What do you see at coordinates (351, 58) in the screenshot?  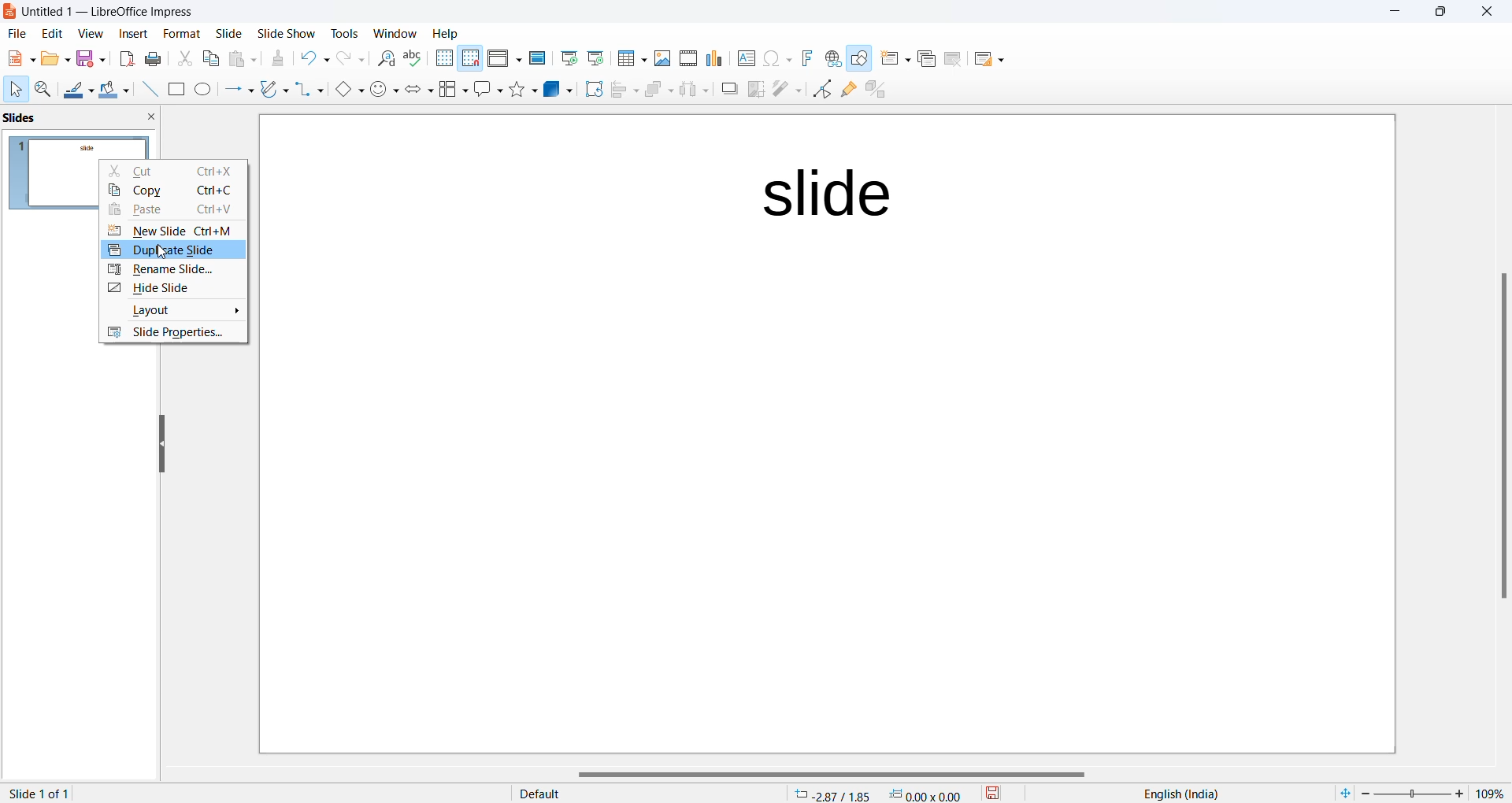 I see `Redo` at bounding box center [351, 58].